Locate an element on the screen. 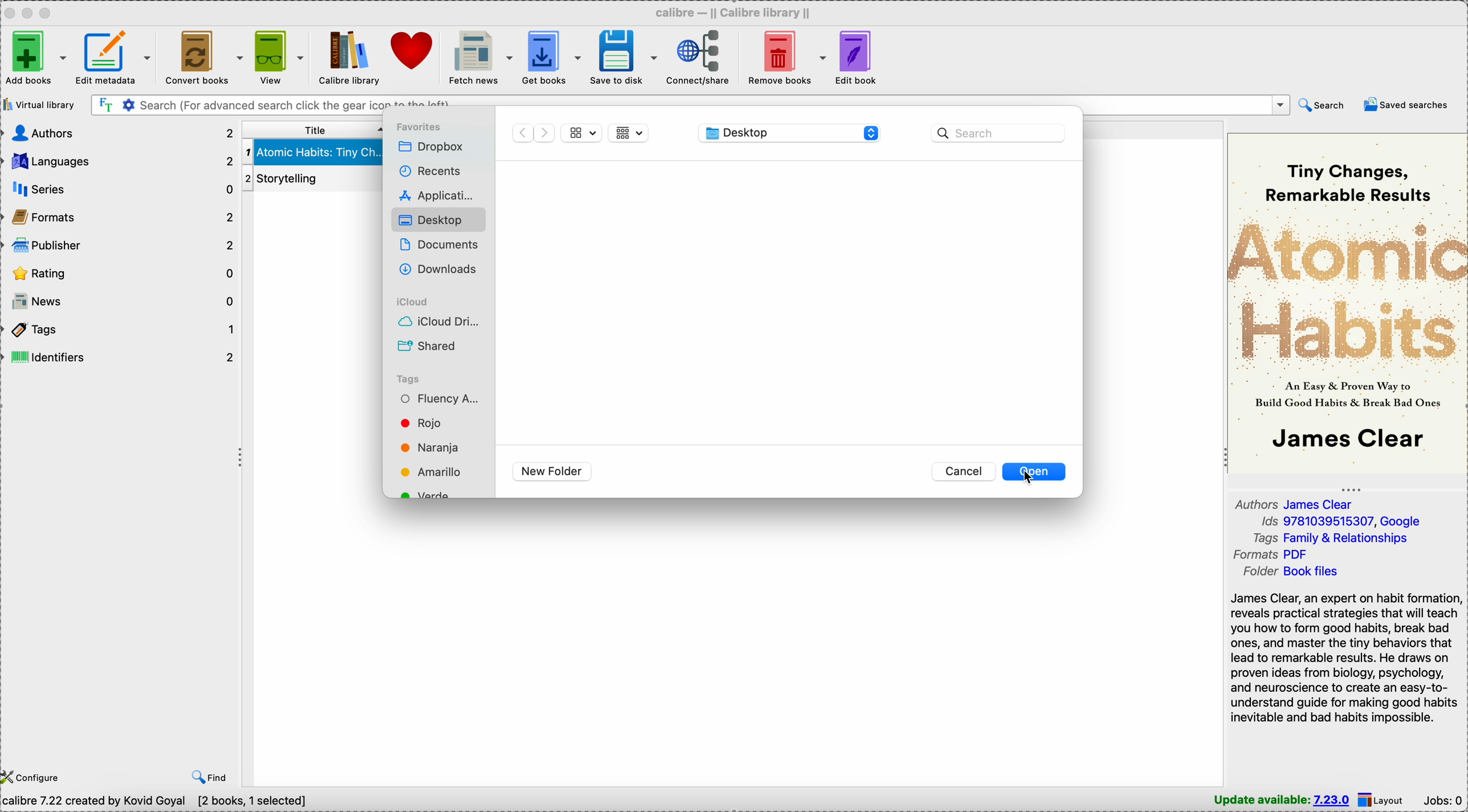 The height and width of the screenshot is (812, 1468). series is located at coordinates (121, 191).